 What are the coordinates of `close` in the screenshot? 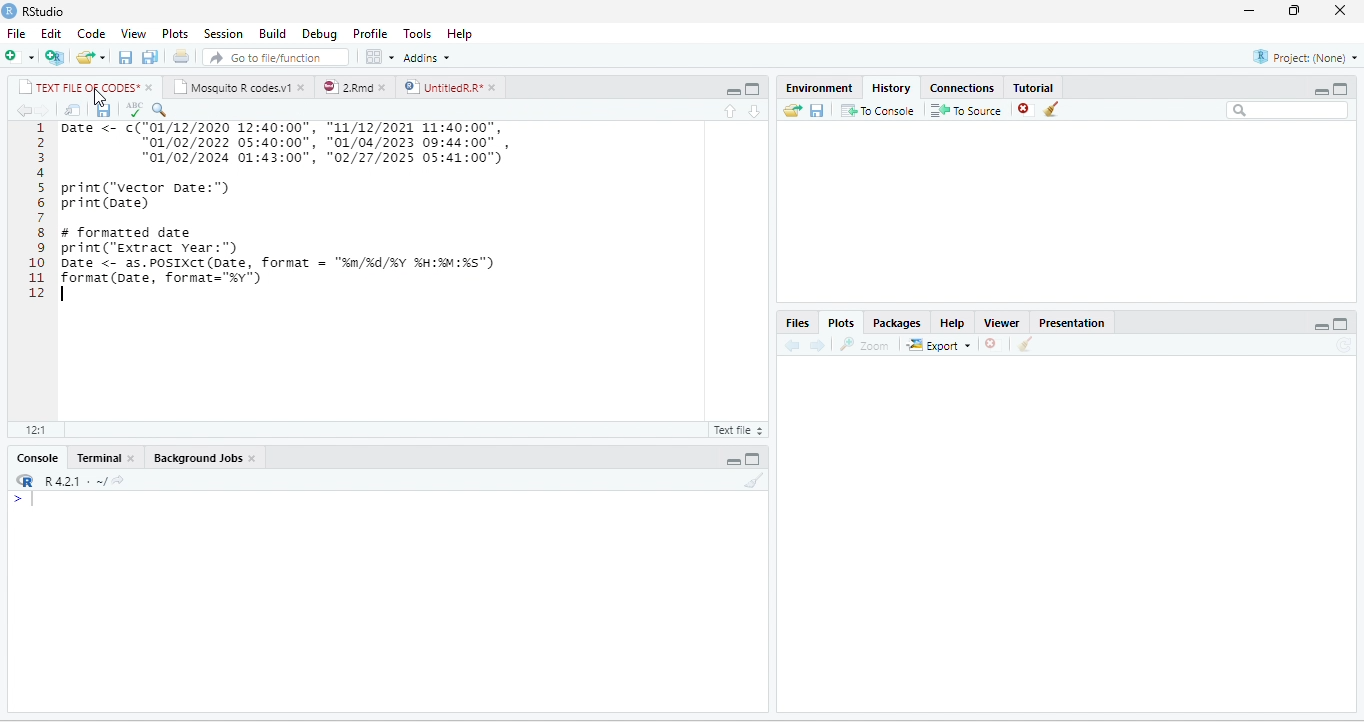 It's located at (151, 87).